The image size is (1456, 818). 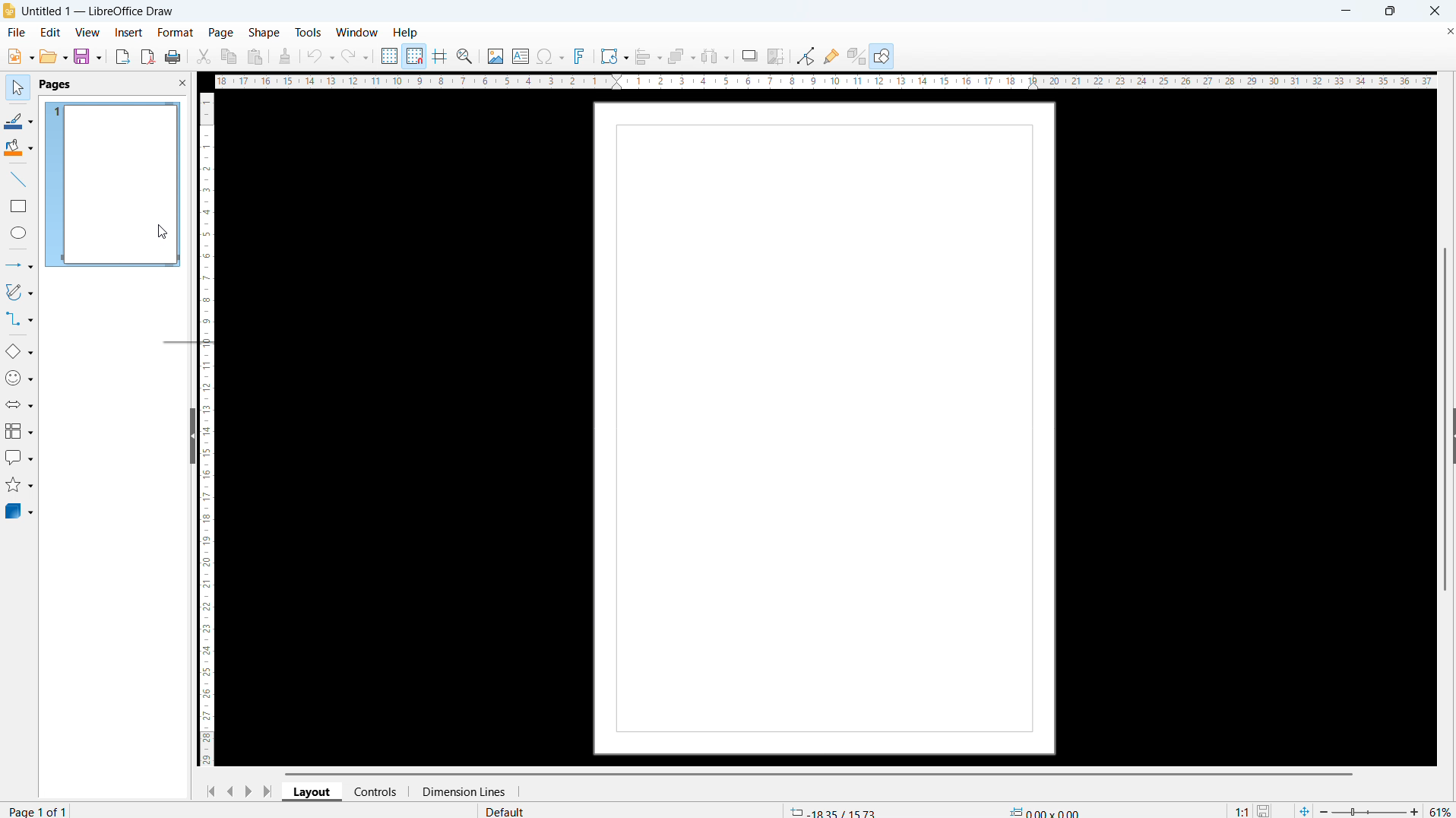 What do you see at coordinates (495, 55) in the screenshot?
I see `Insert image` at bounding box center [495, 55].